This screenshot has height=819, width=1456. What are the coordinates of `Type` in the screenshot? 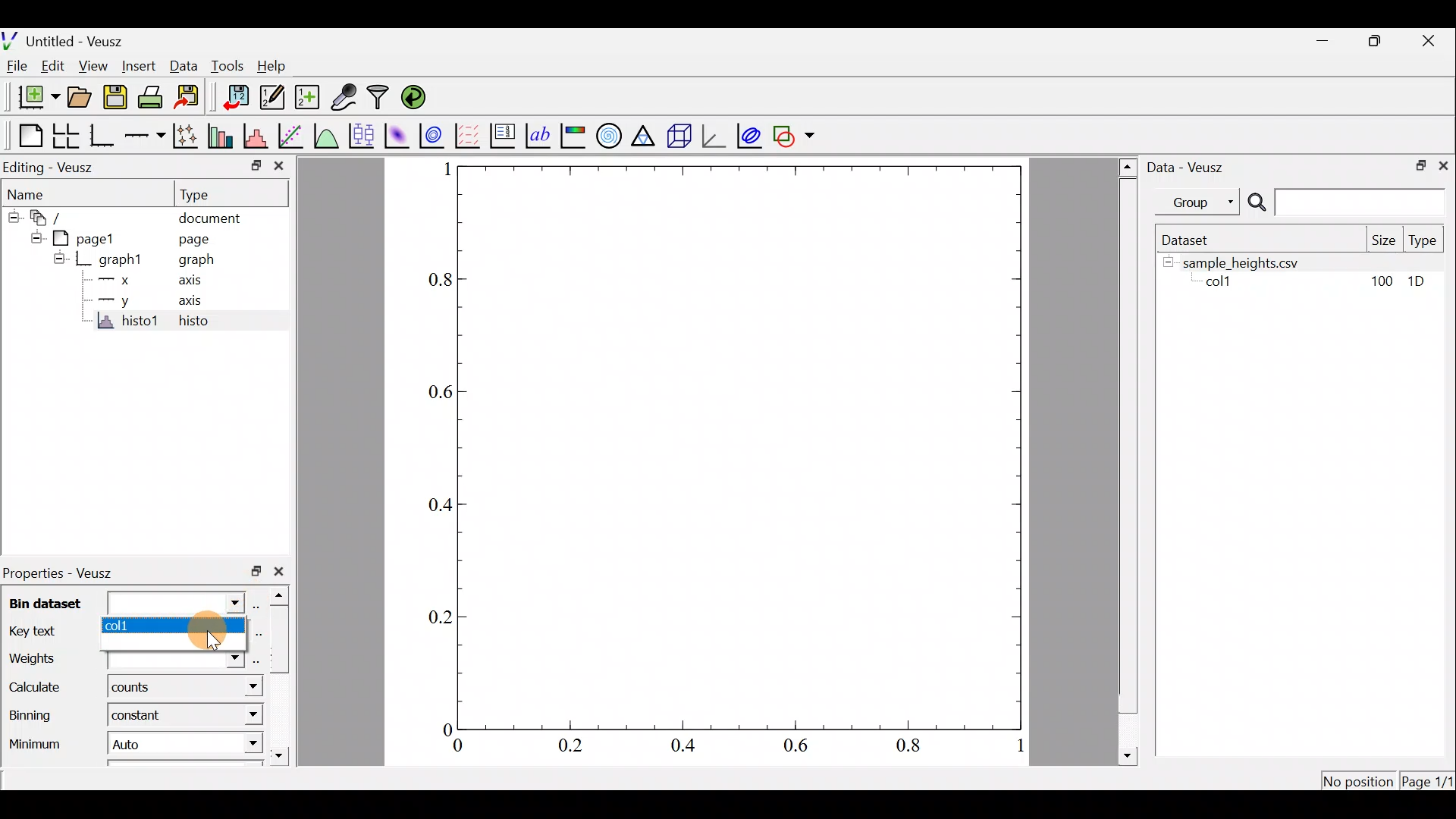 It's located at (206, 193).